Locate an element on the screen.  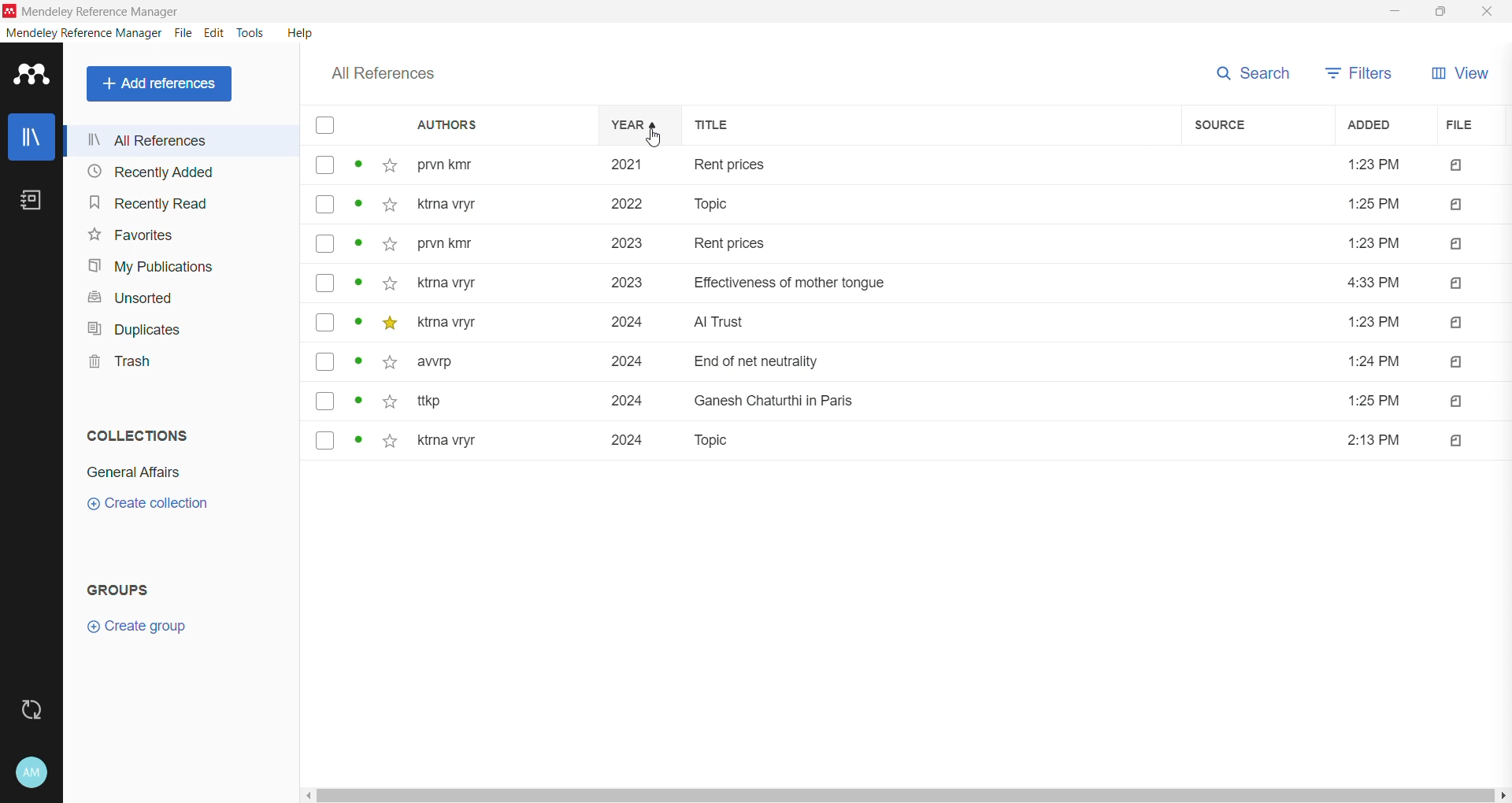
Recently Read is located at coordinates (148, 204).